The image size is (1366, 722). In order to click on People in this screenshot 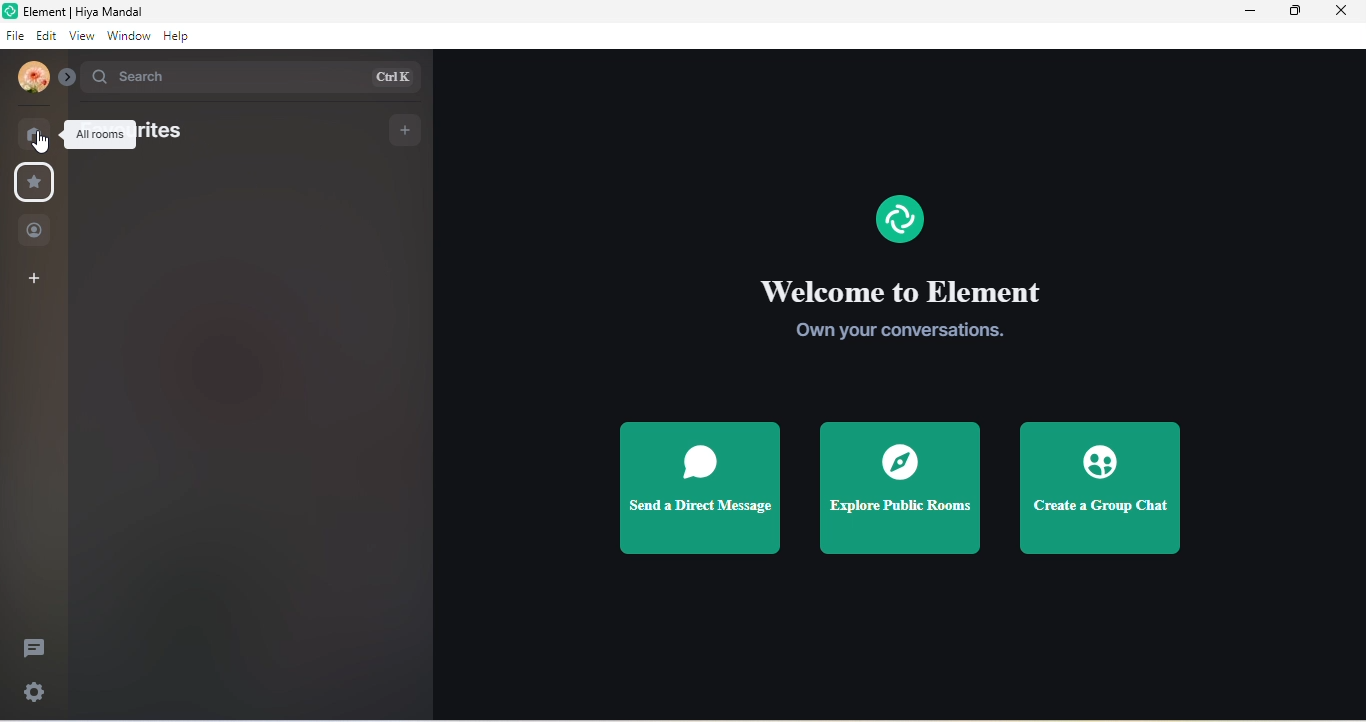, I will do `click(34, 230)`.